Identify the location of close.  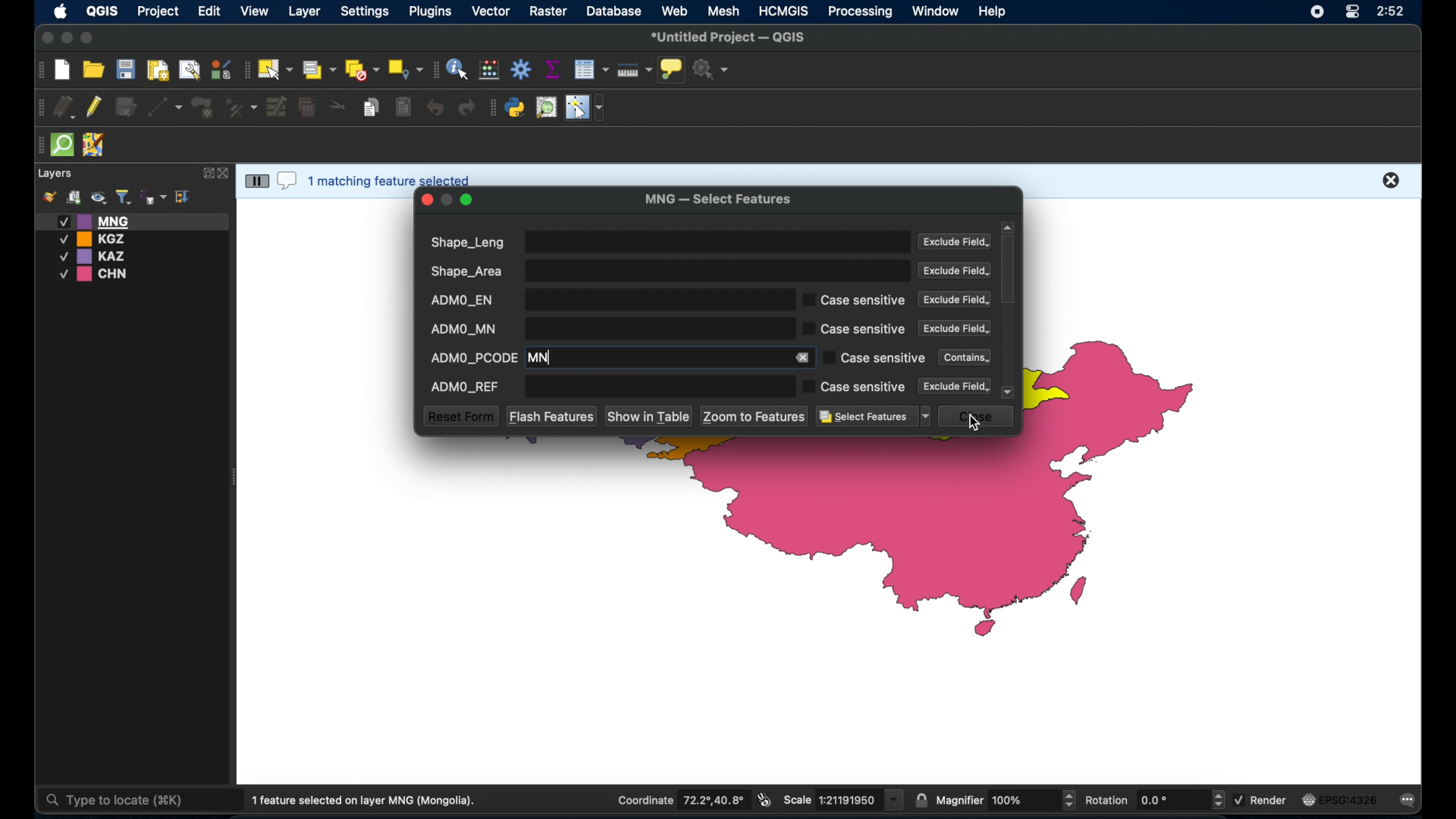
(45, 37).